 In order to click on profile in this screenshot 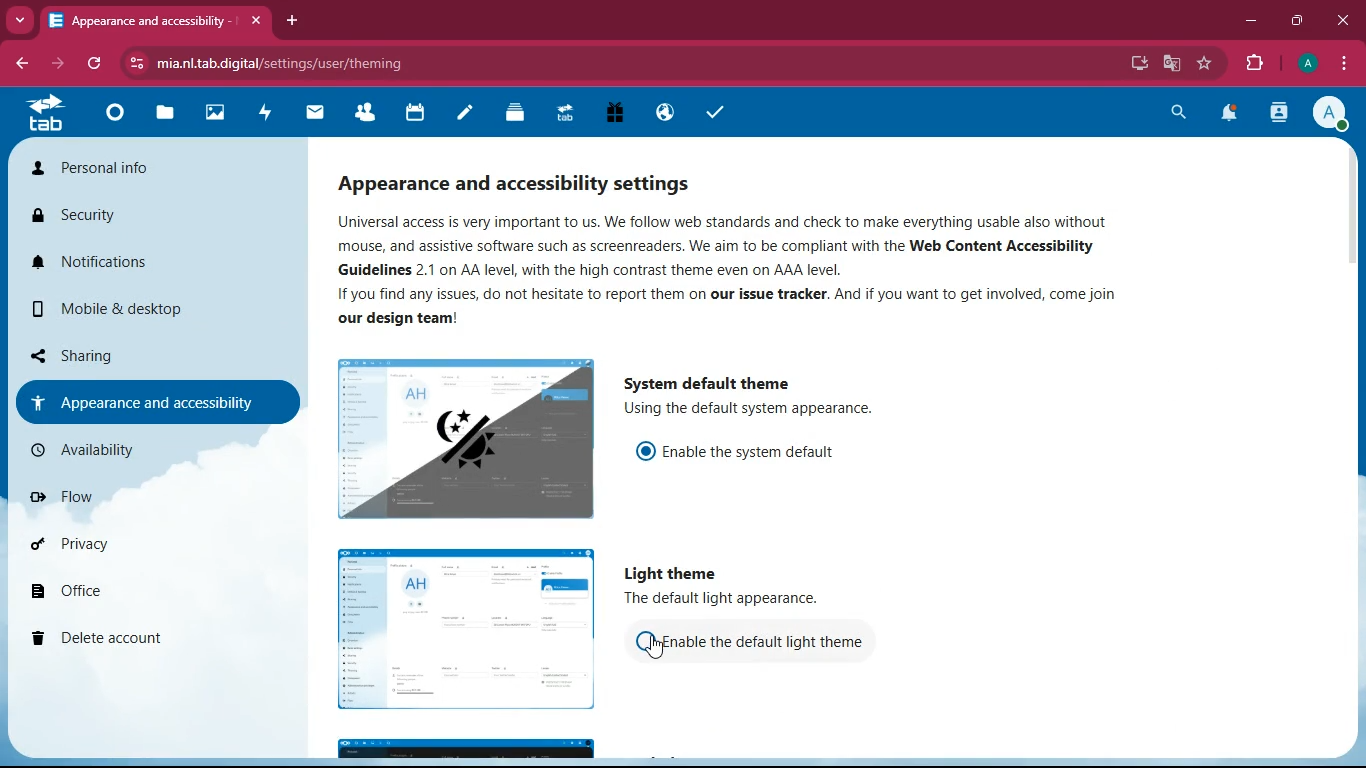, I will do `click(1305, 64)`.